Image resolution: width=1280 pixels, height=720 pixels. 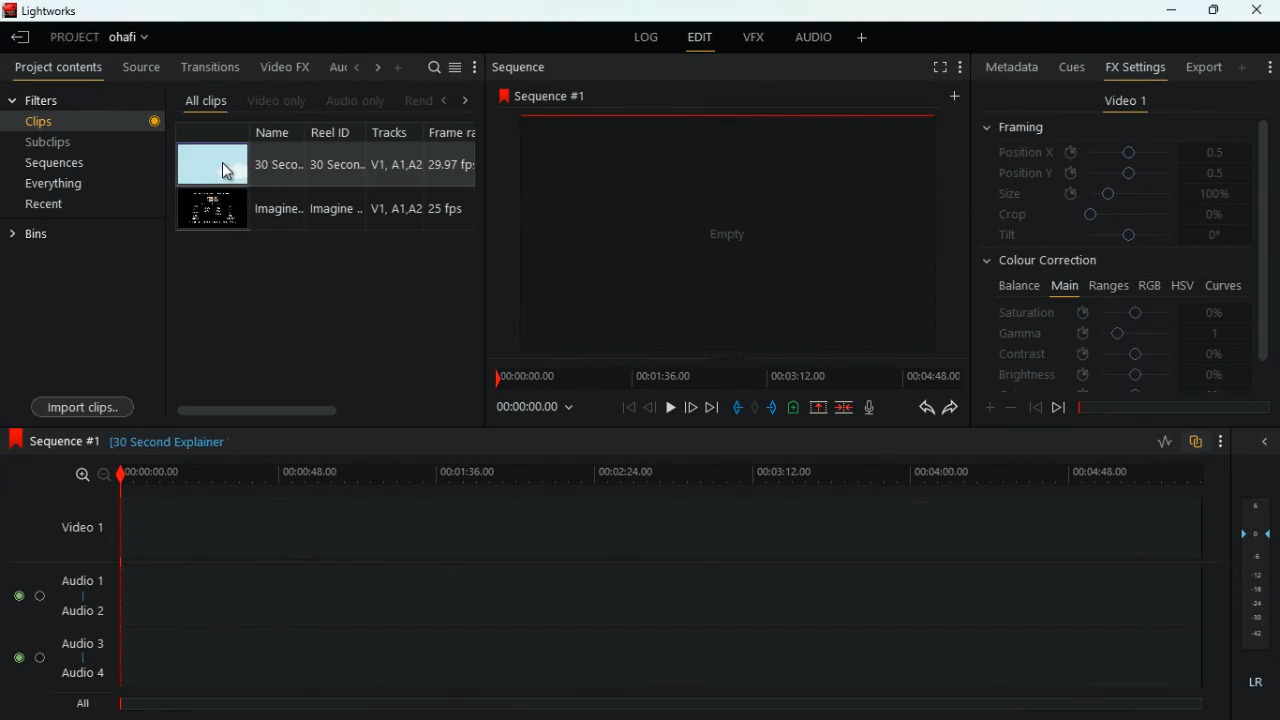 I want to click on lightworks, so click(x=61, y=10).